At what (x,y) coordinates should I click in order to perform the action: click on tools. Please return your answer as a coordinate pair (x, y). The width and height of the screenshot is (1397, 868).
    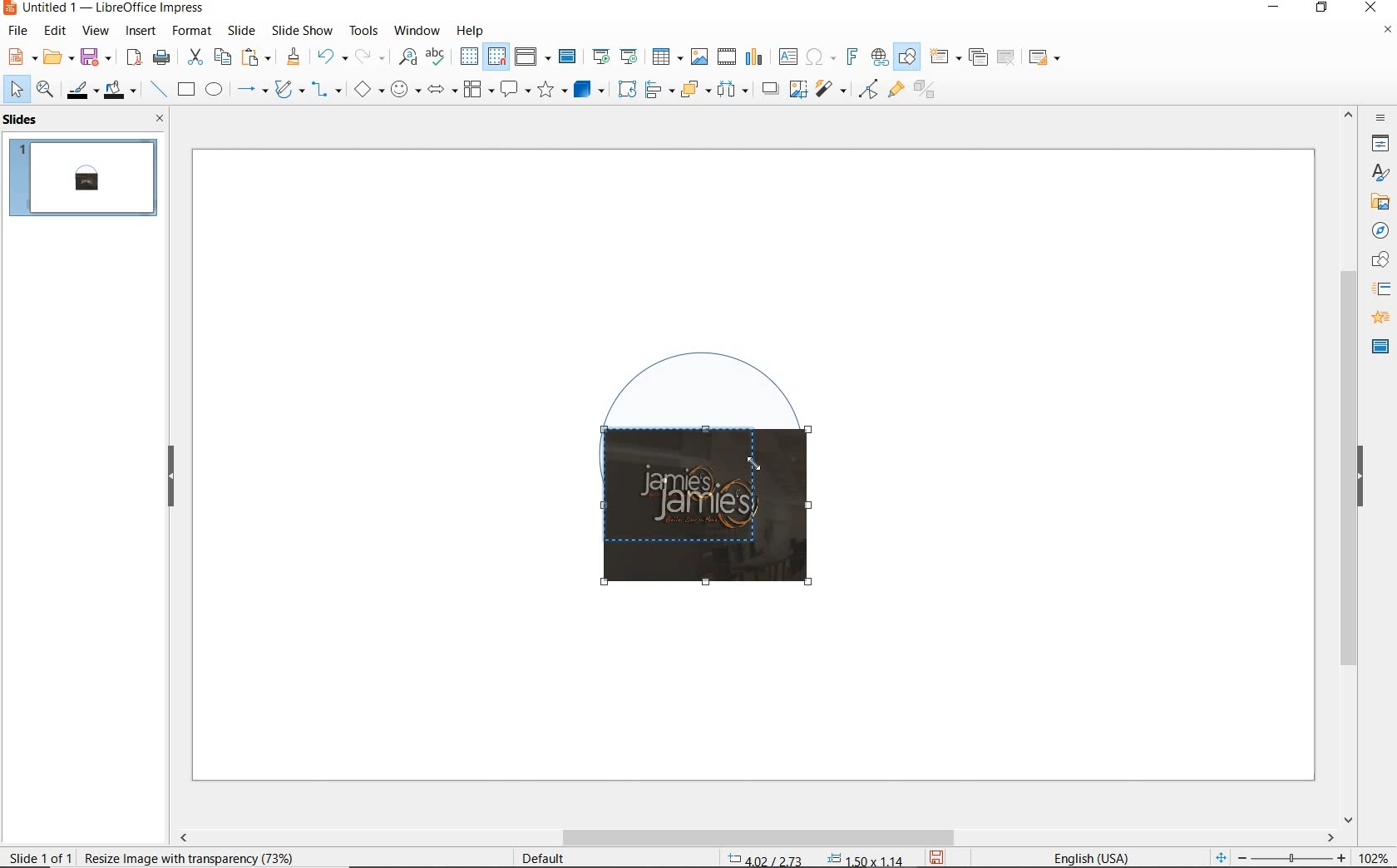
    Looking at the image, I should click on (363, 30).